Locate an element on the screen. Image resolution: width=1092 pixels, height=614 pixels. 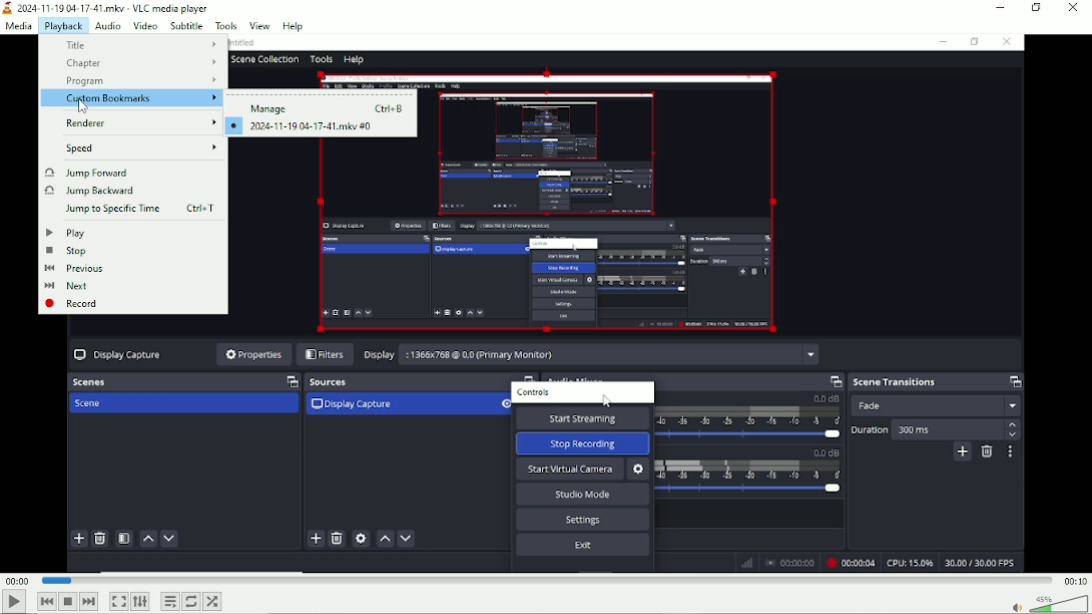
Toggle video in fullscreen is located at coordinates (119, 602).